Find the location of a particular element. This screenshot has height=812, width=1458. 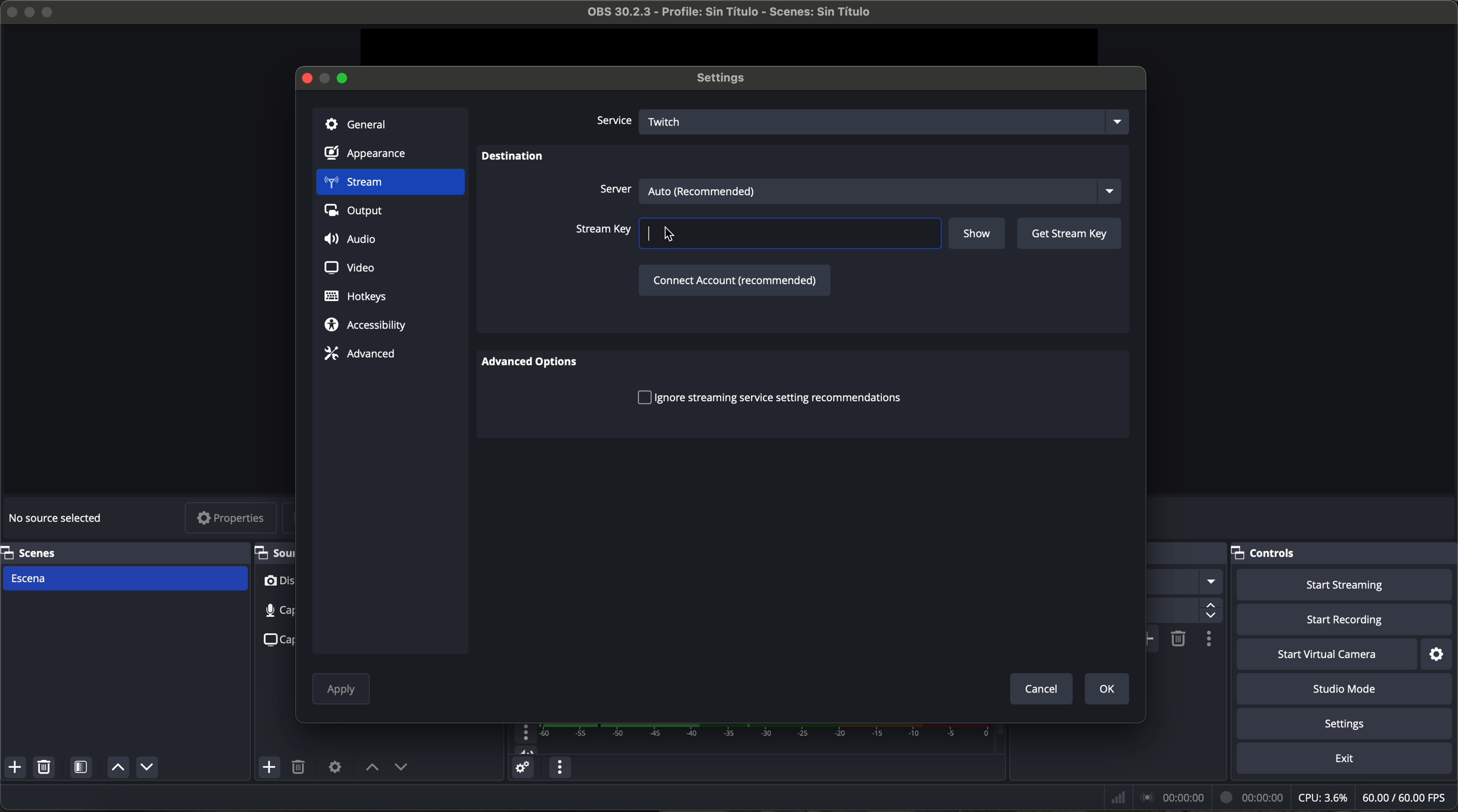

studio mode is located at coordinates (1349, 690).